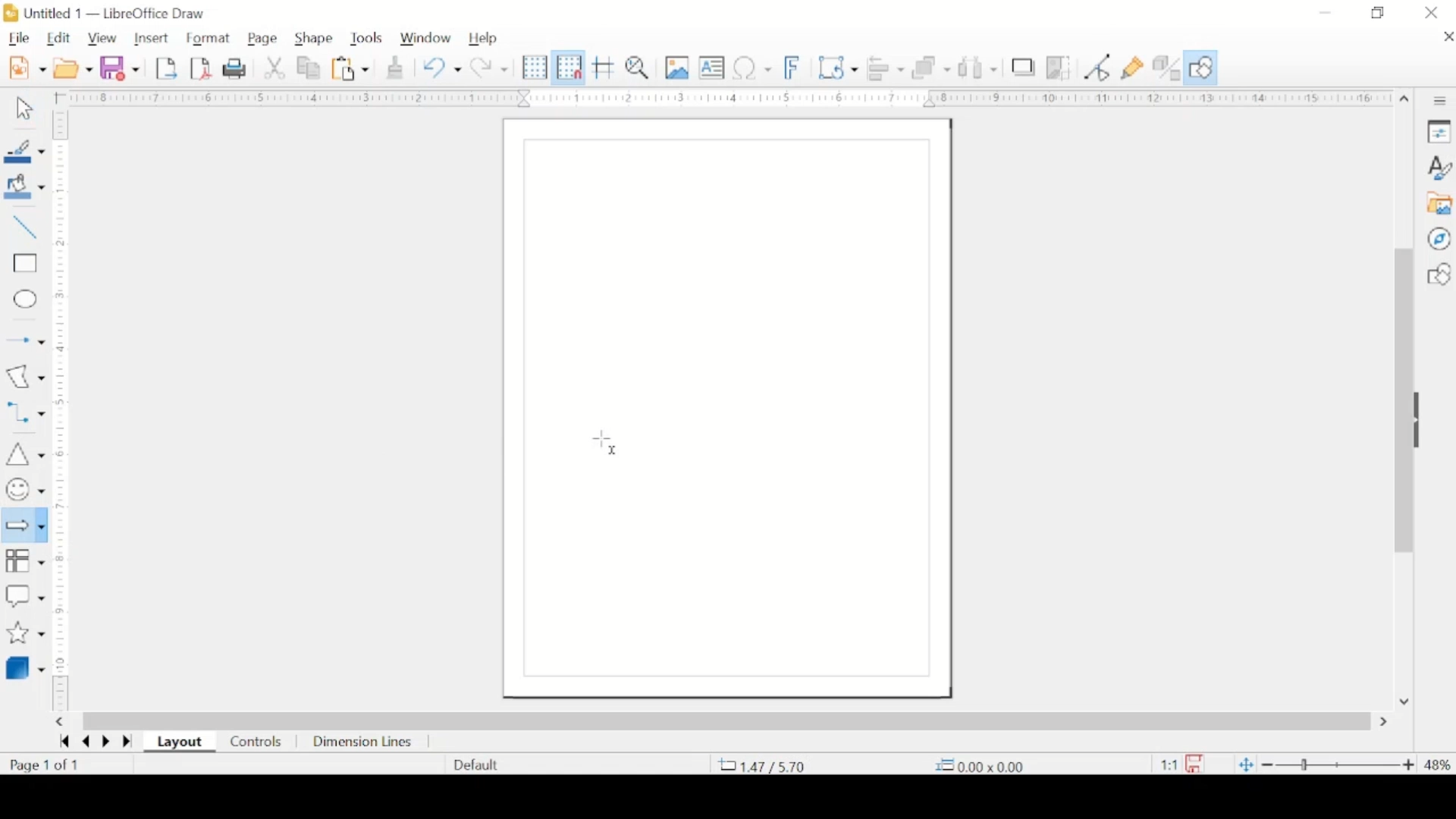  Describe the element at coordinates (46, 765) in the screenshot. I see `page count` at that location.